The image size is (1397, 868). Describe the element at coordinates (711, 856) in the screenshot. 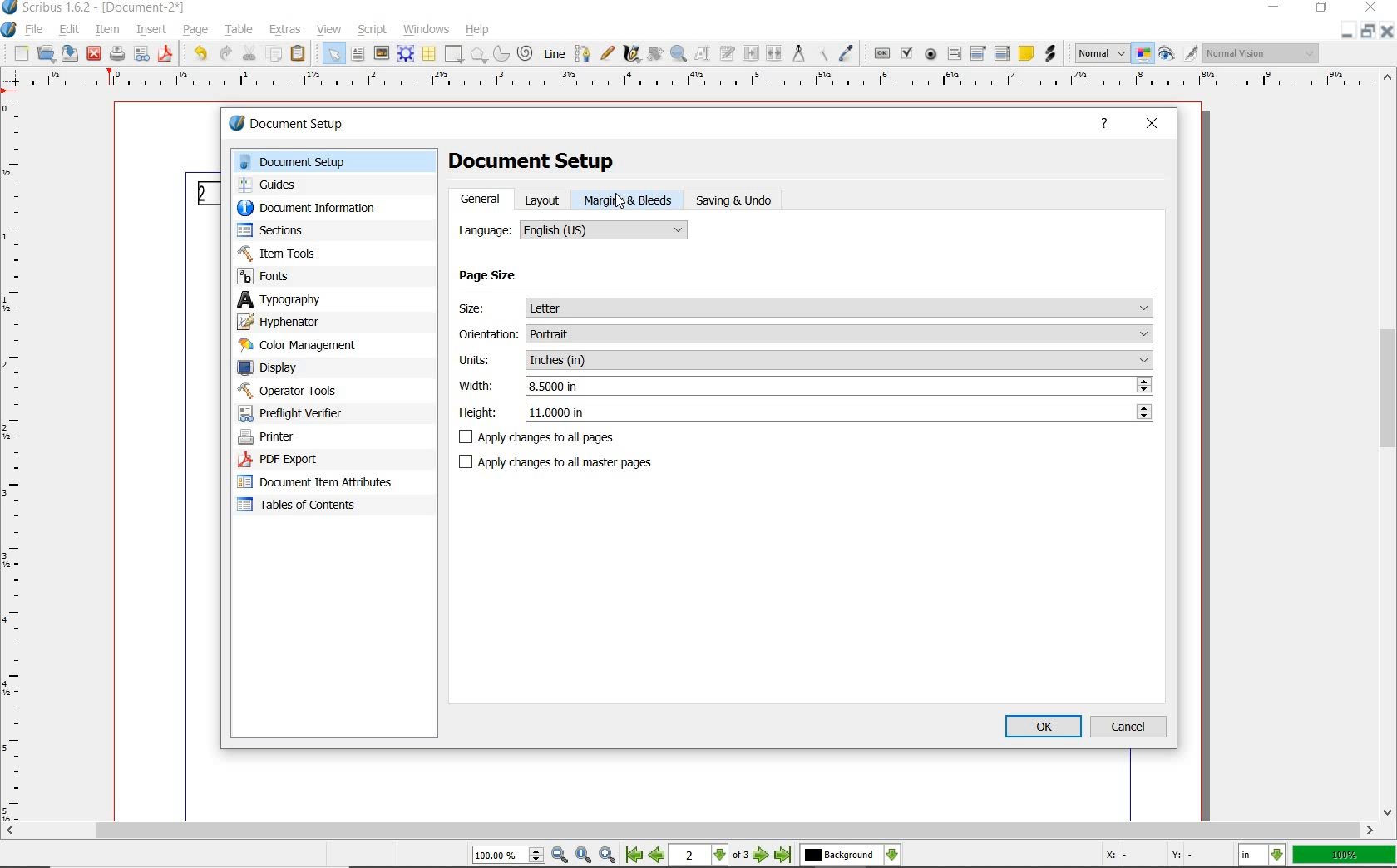

I see `2 of 3` at that location.